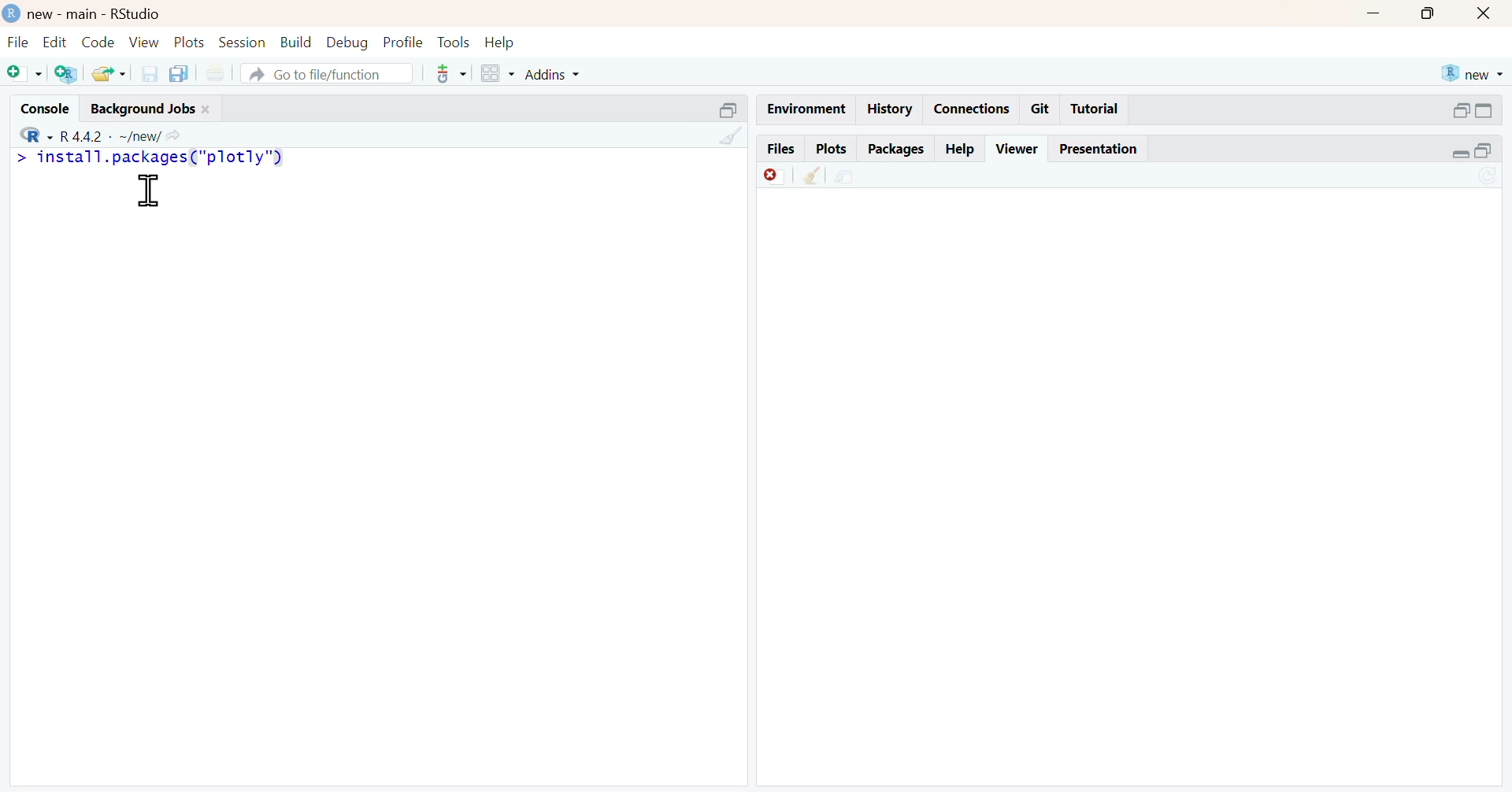 This screenshot has width=1512, height=792. I want to click on maximize, so click(1494, 110).